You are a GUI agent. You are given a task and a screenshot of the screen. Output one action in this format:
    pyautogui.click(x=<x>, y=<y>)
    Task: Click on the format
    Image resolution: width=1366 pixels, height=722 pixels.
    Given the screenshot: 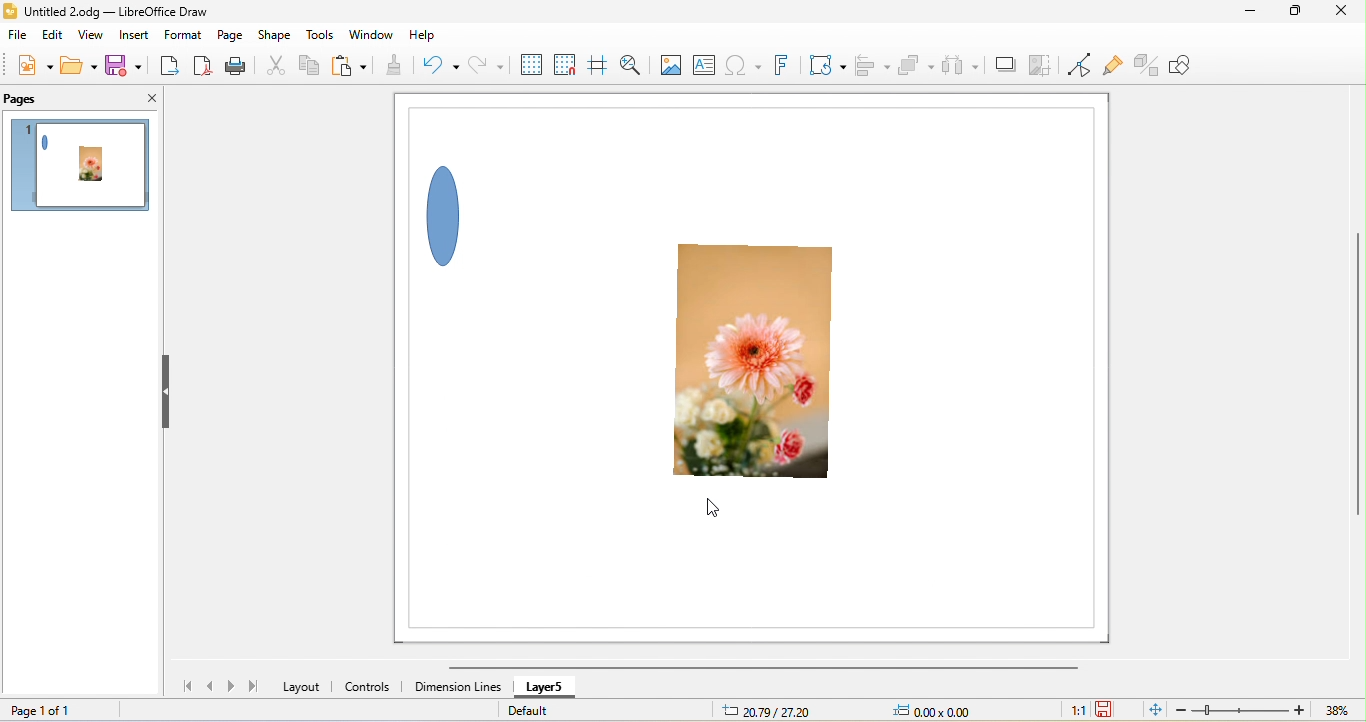 What is the action you would take?
    pyautogui.click(x=183, y=35)
    